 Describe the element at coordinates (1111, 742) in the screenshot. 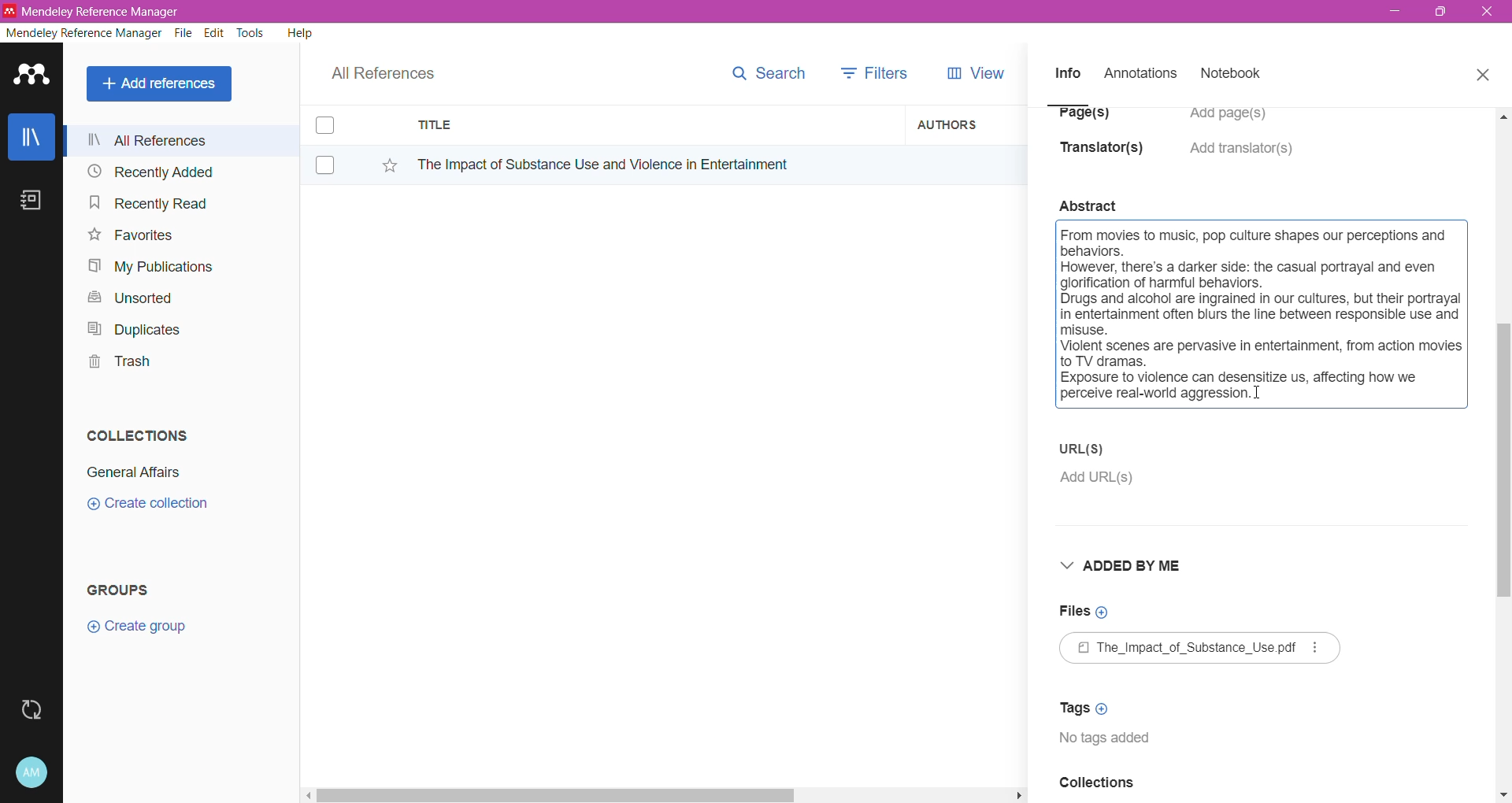

I see `Tags available for the document` at that location.